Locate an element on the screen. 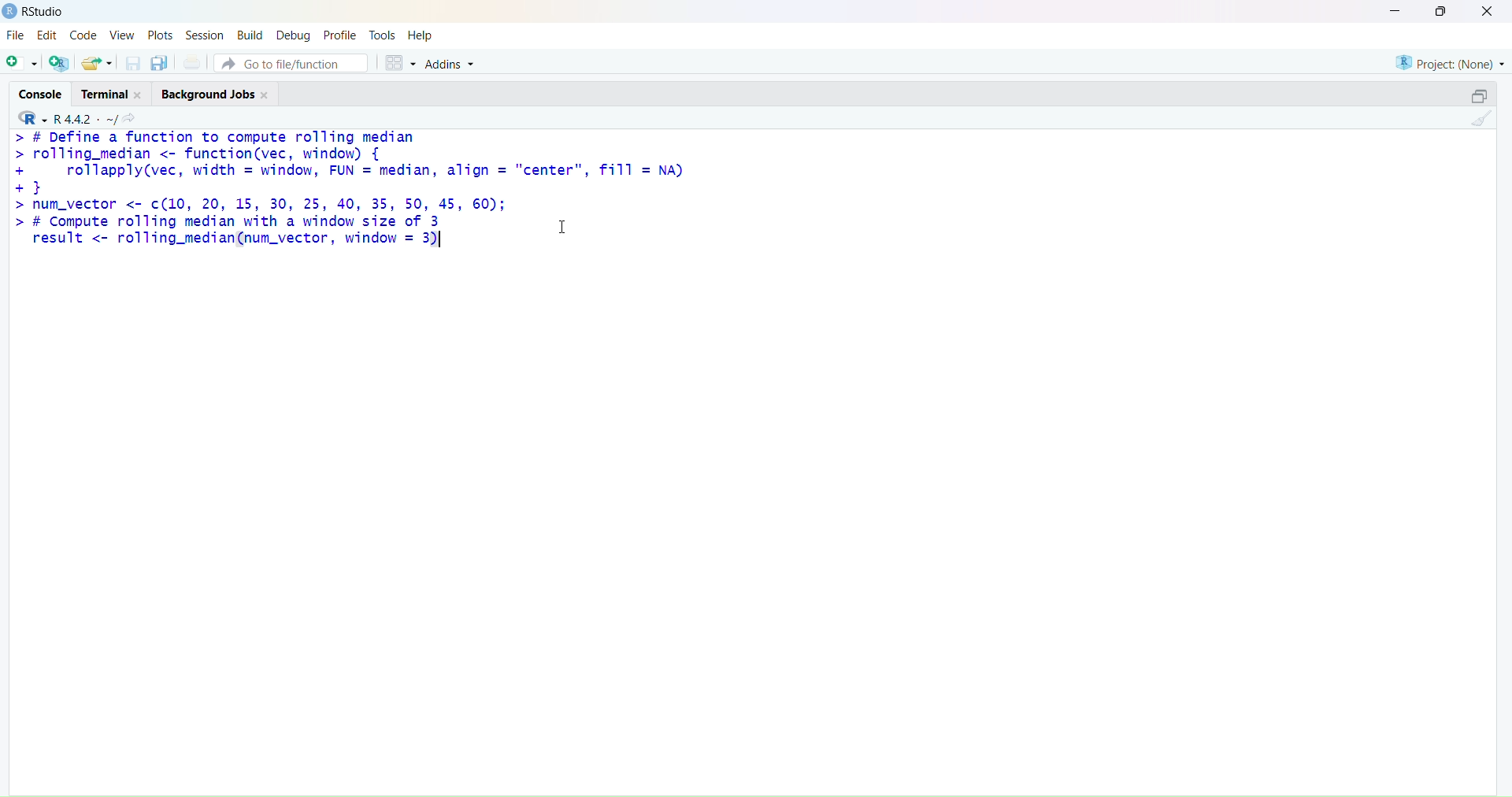 This screenshot has height=797, width=1512. edit is located at coordinates (47, 35).